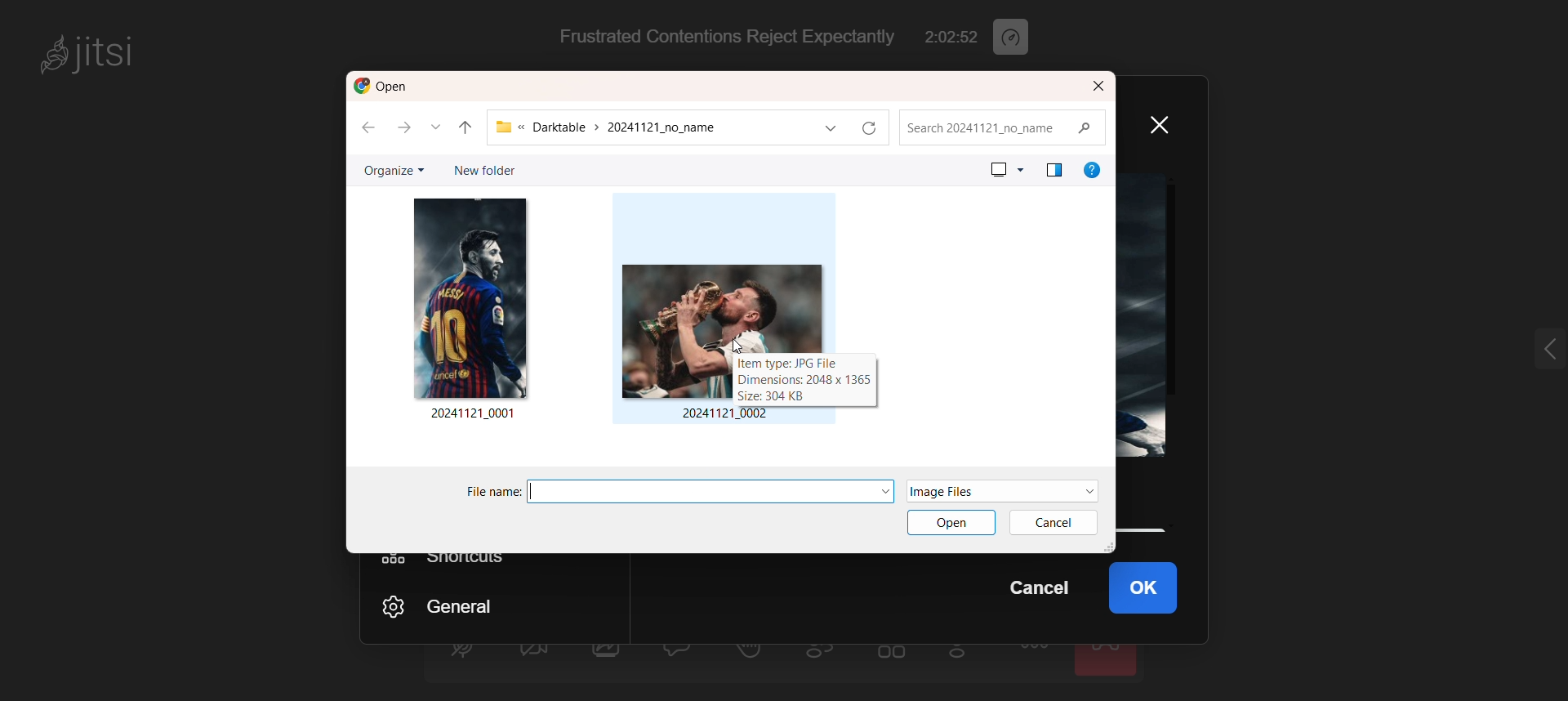 The image size is (1568, 701). Describe the element at coordinates (608, 658) in the screenshot. I see `share screen` at that location.